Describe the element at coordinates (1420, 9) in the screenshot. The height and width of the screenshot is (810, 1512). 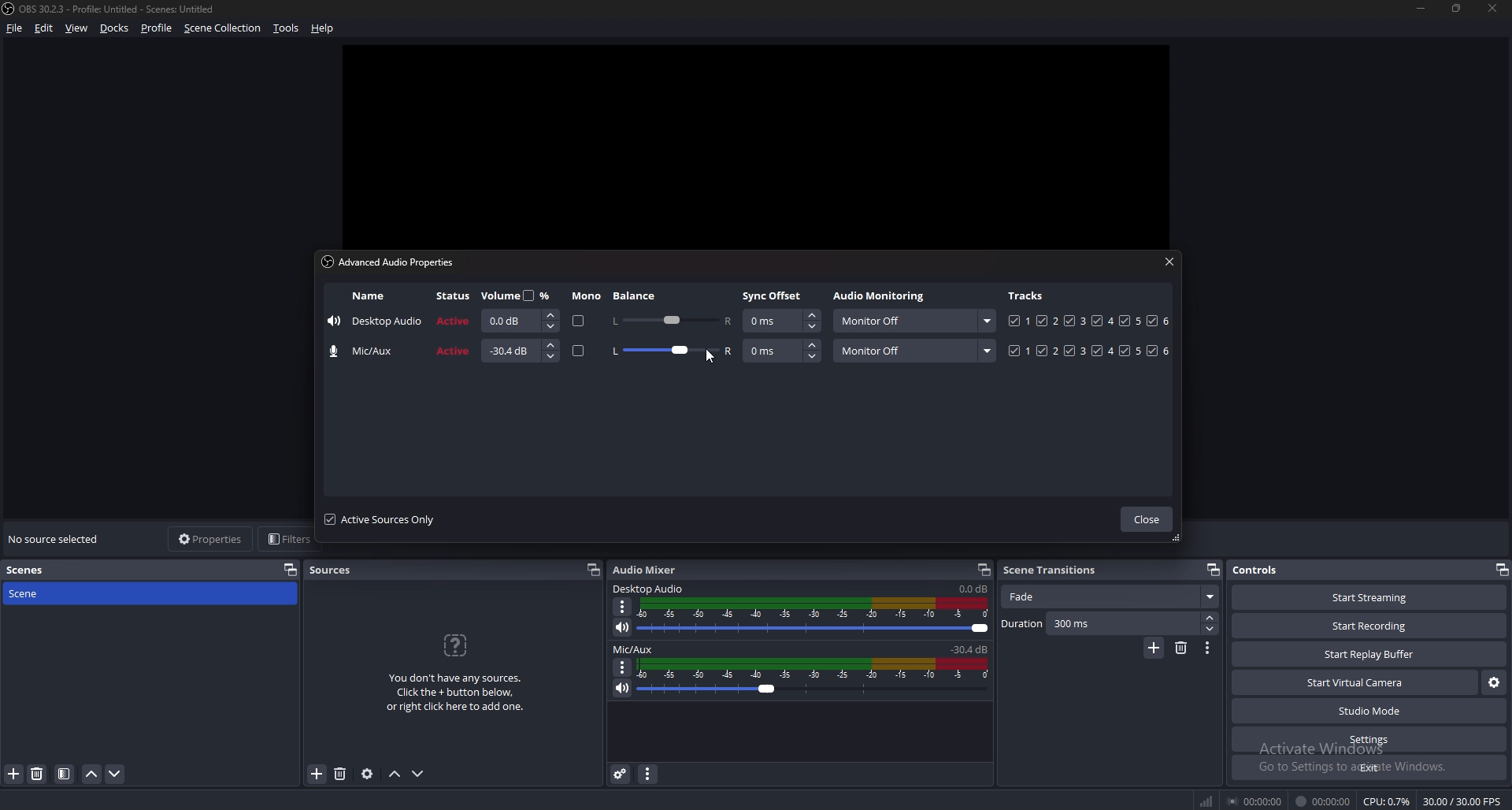
I see `minimize` at that location.